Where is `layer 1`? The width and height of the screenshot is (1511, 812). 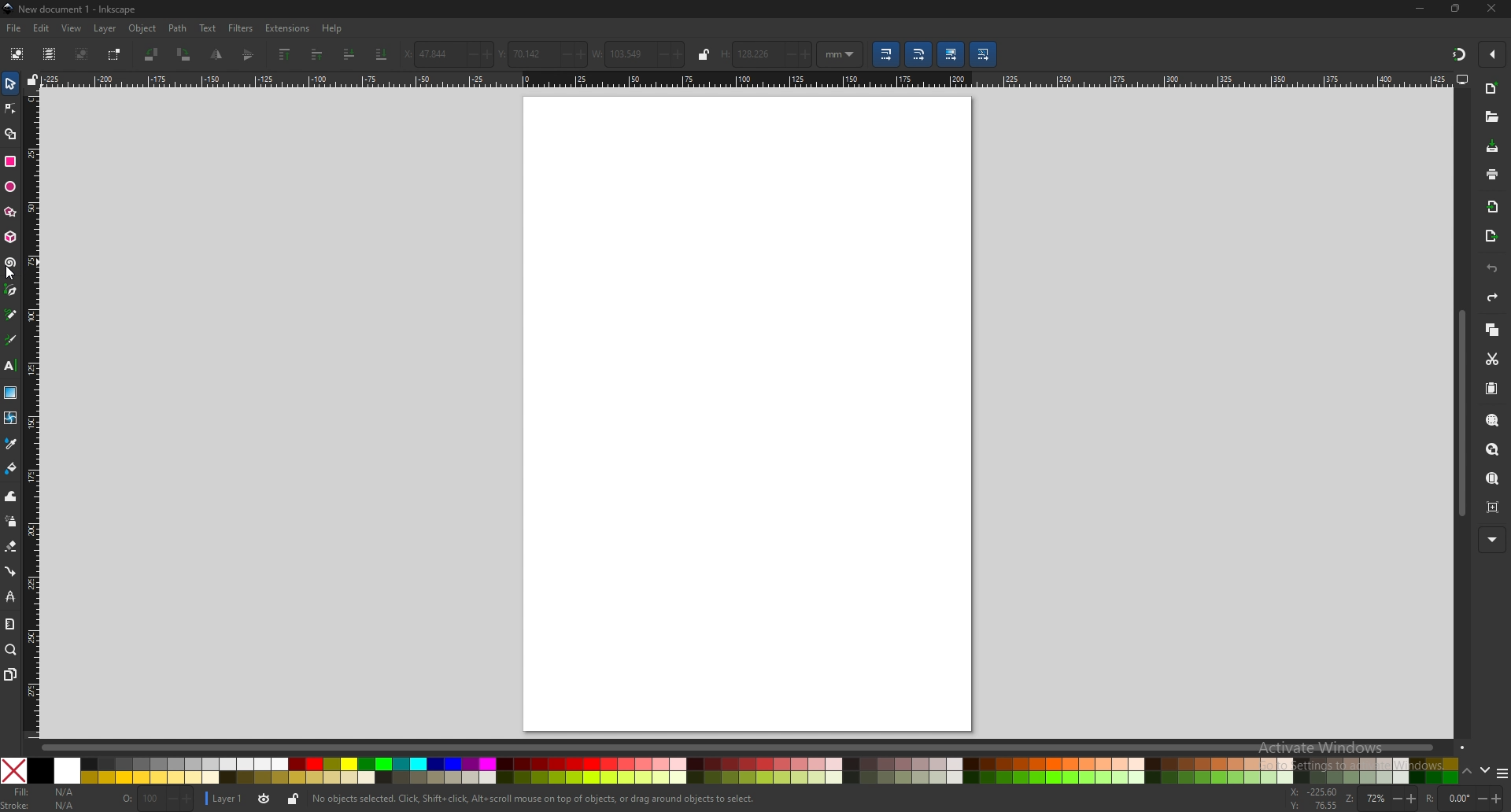 layer 1 is located at coordinates (227, 799).